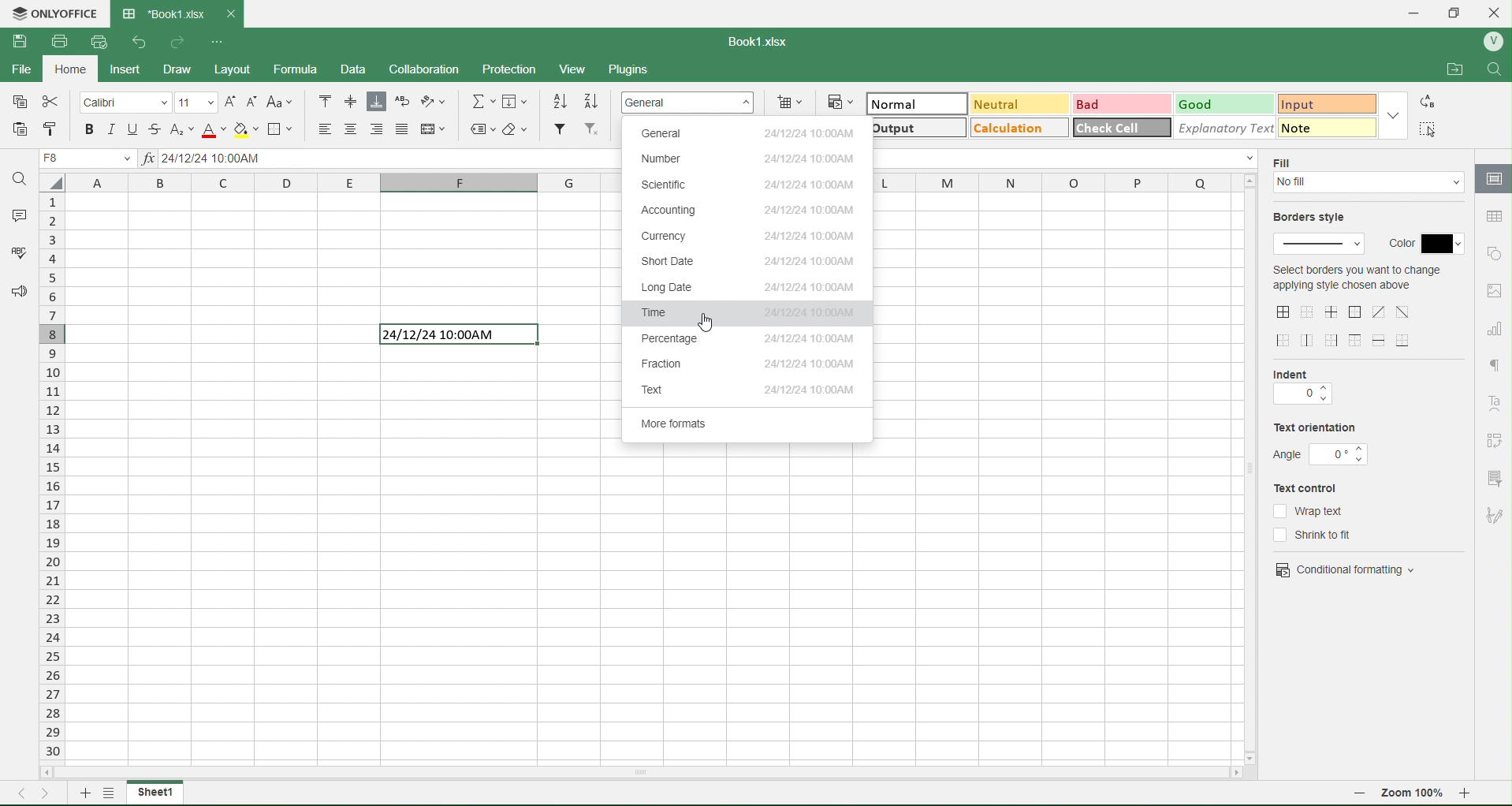 This screenshot has width=1512, height=806. What do you see at coordinates (1250, 468) in the screenshot?
I see `vertical scrol bar` at bounding box center [1250, 468].